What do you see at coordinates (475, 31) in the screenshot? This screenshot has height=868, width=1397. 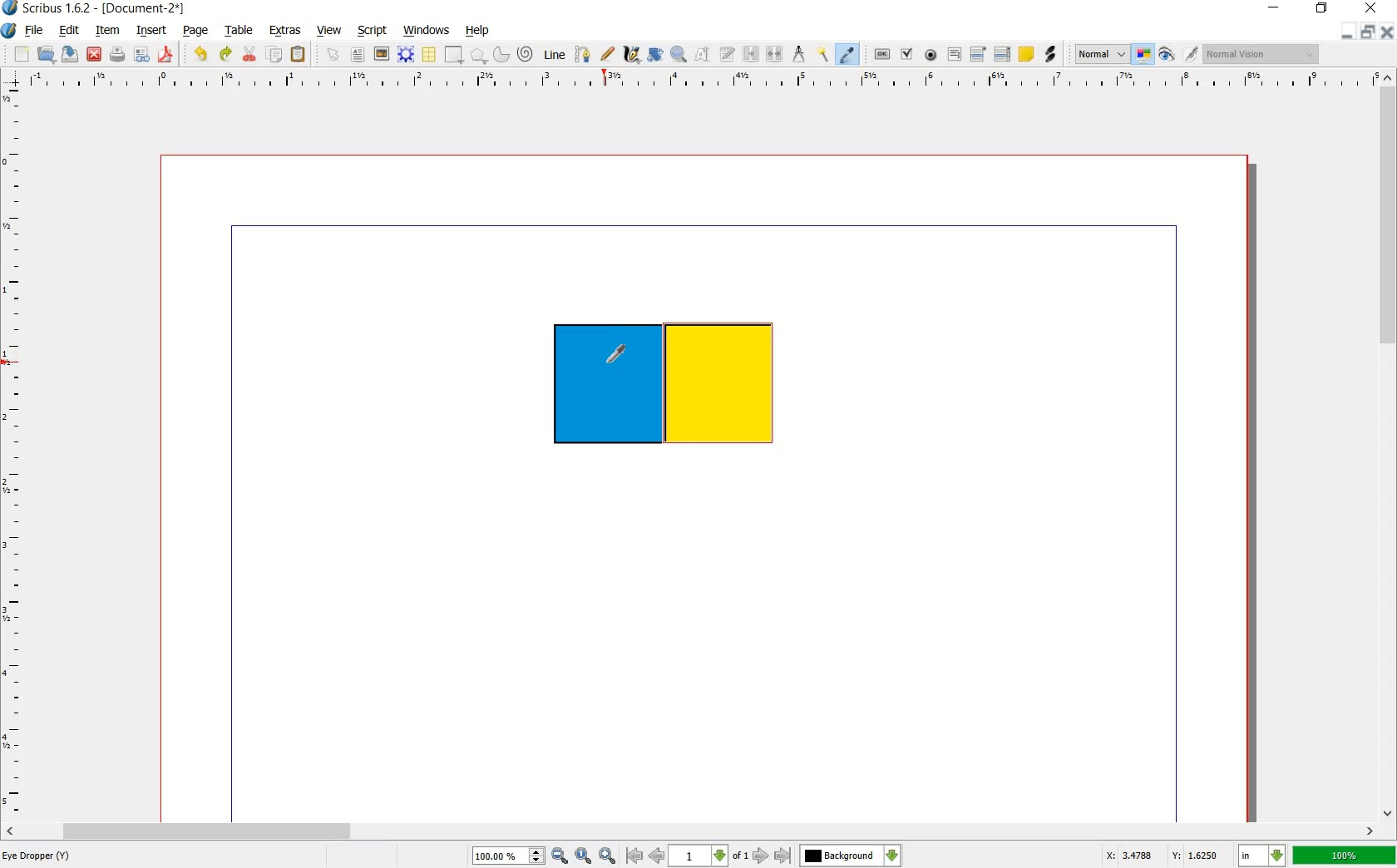 I see `help` at bounding box center [475, 31].